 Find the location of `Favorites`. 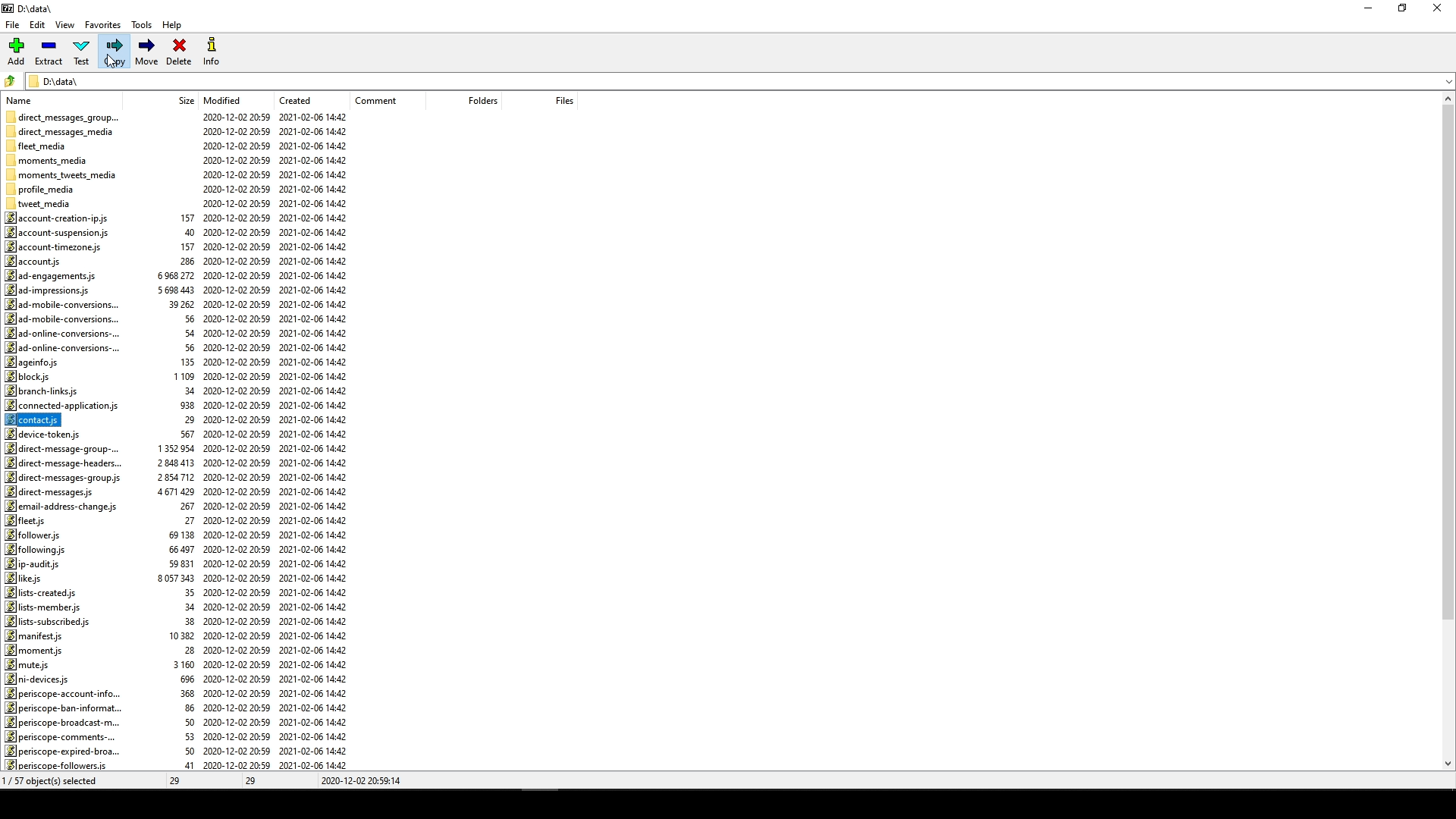

Favorites is located at coordinates (103, 27).